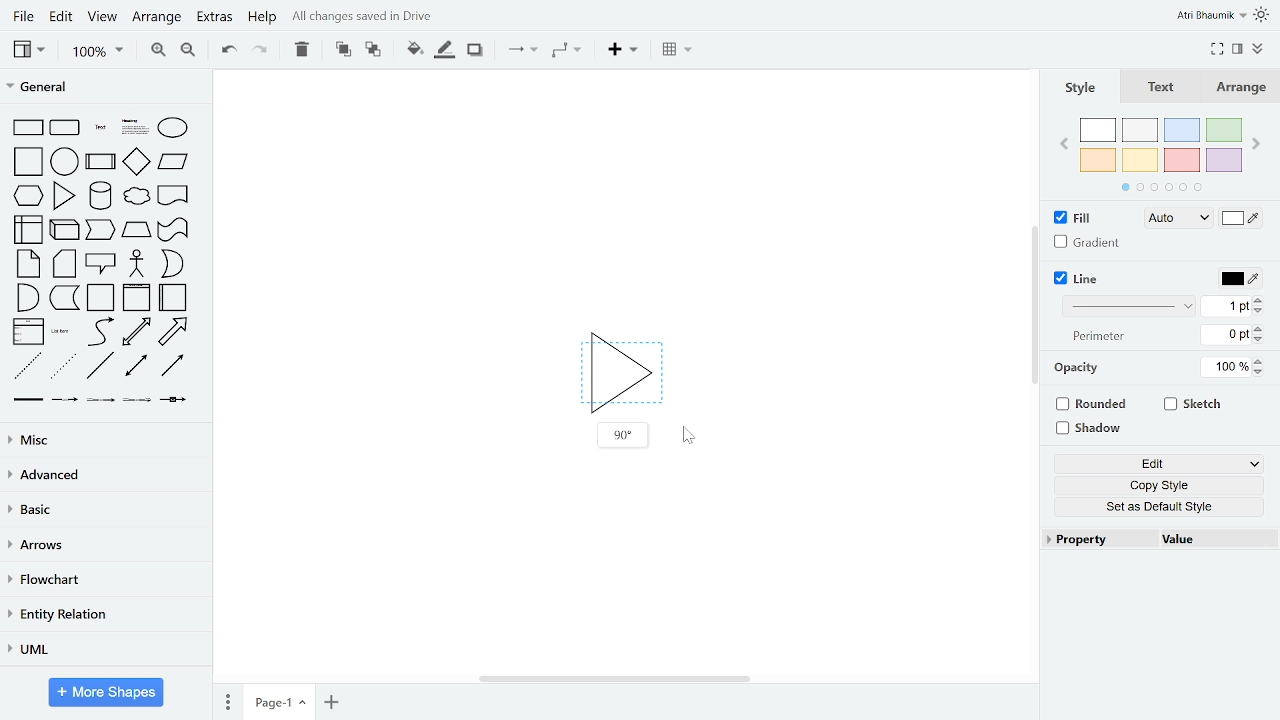 Image resolution: width=1280 pixels, height=720 pixels. What do you see at coordinates (27, 402) in the screenshot?
I see `link` at bounding box center [27, 402].